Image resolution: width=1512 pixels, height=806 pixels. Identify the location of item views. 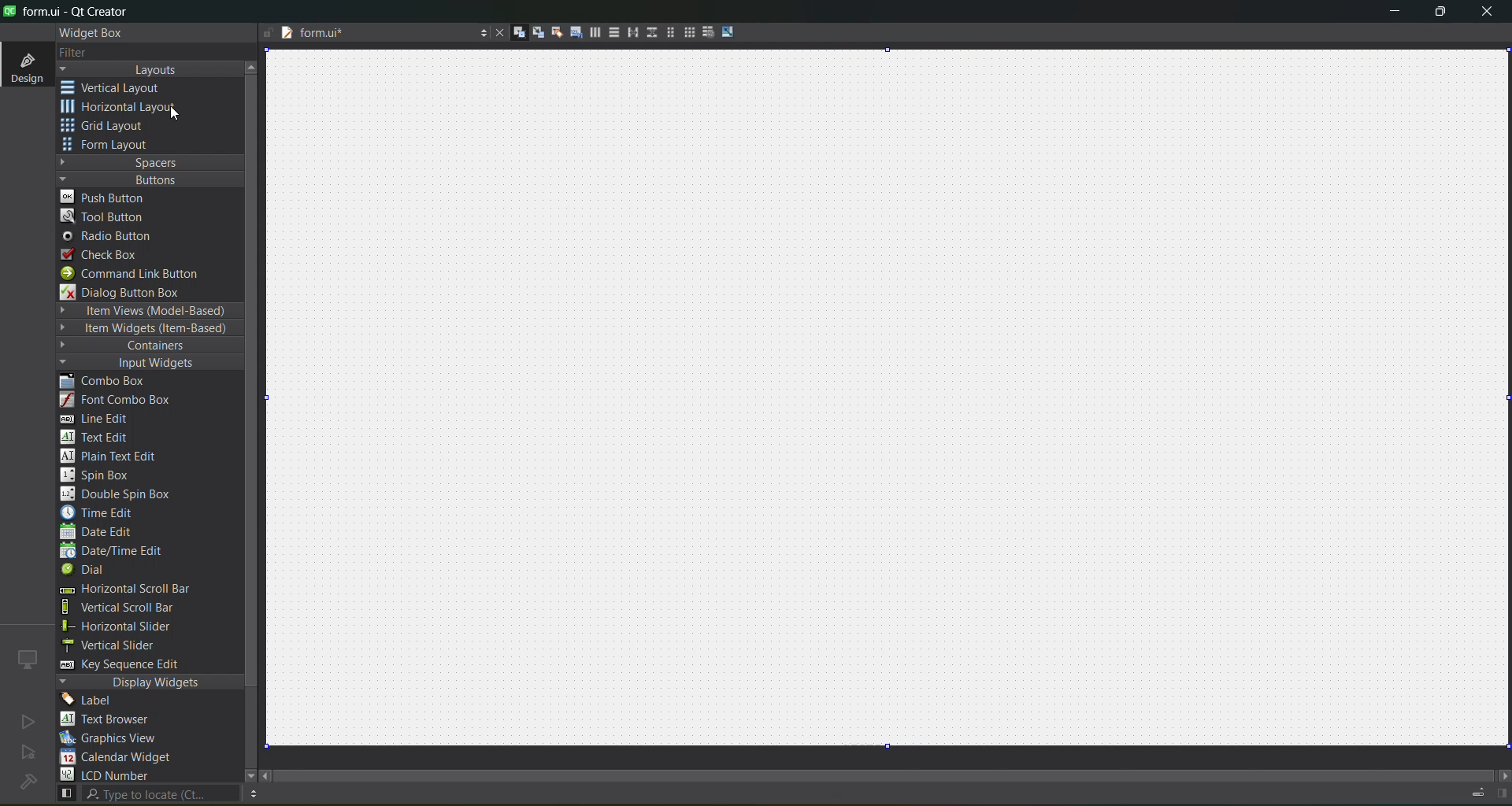
(148, 312).